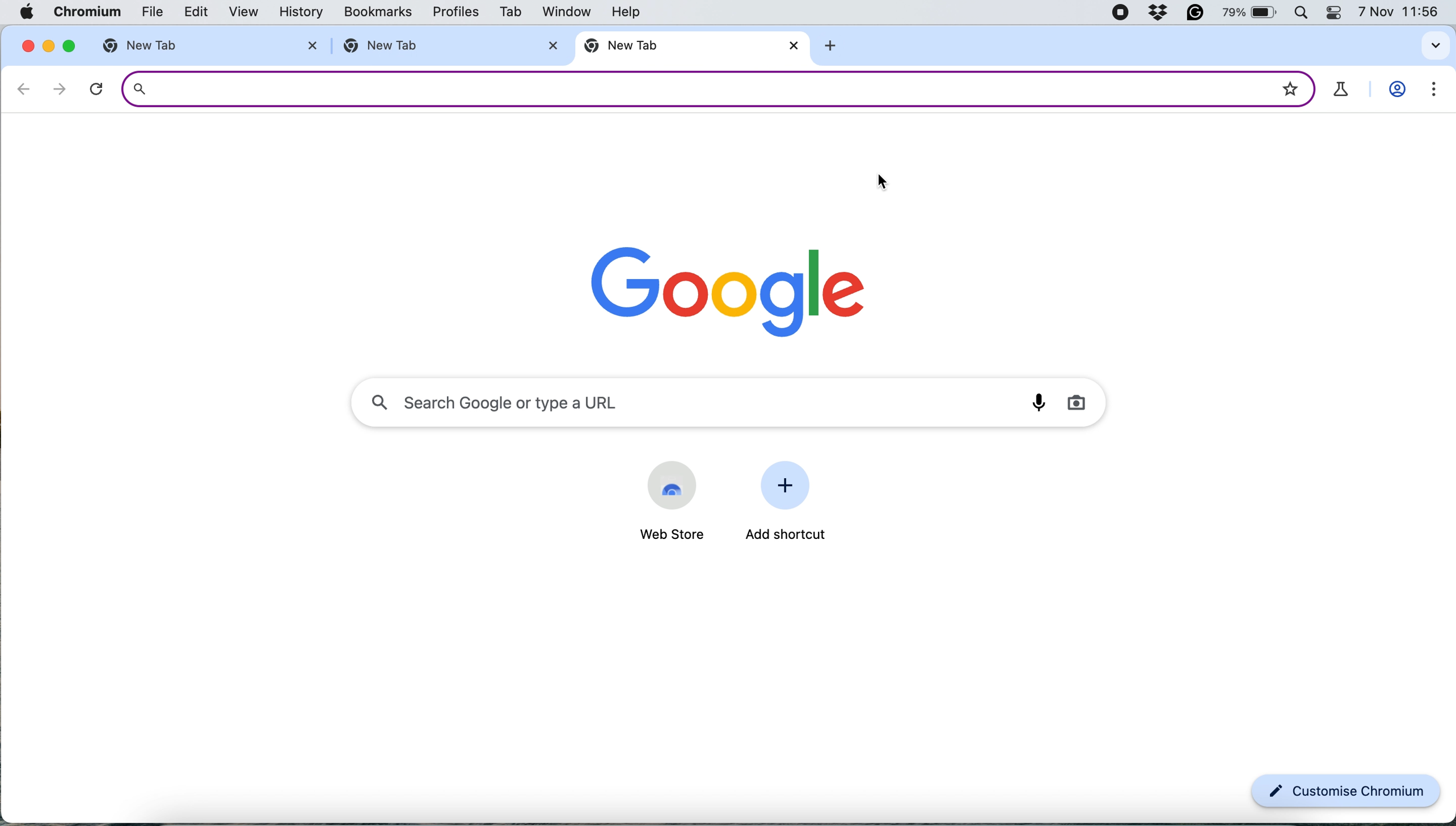  I want to click on new tab, so click(680, 47).